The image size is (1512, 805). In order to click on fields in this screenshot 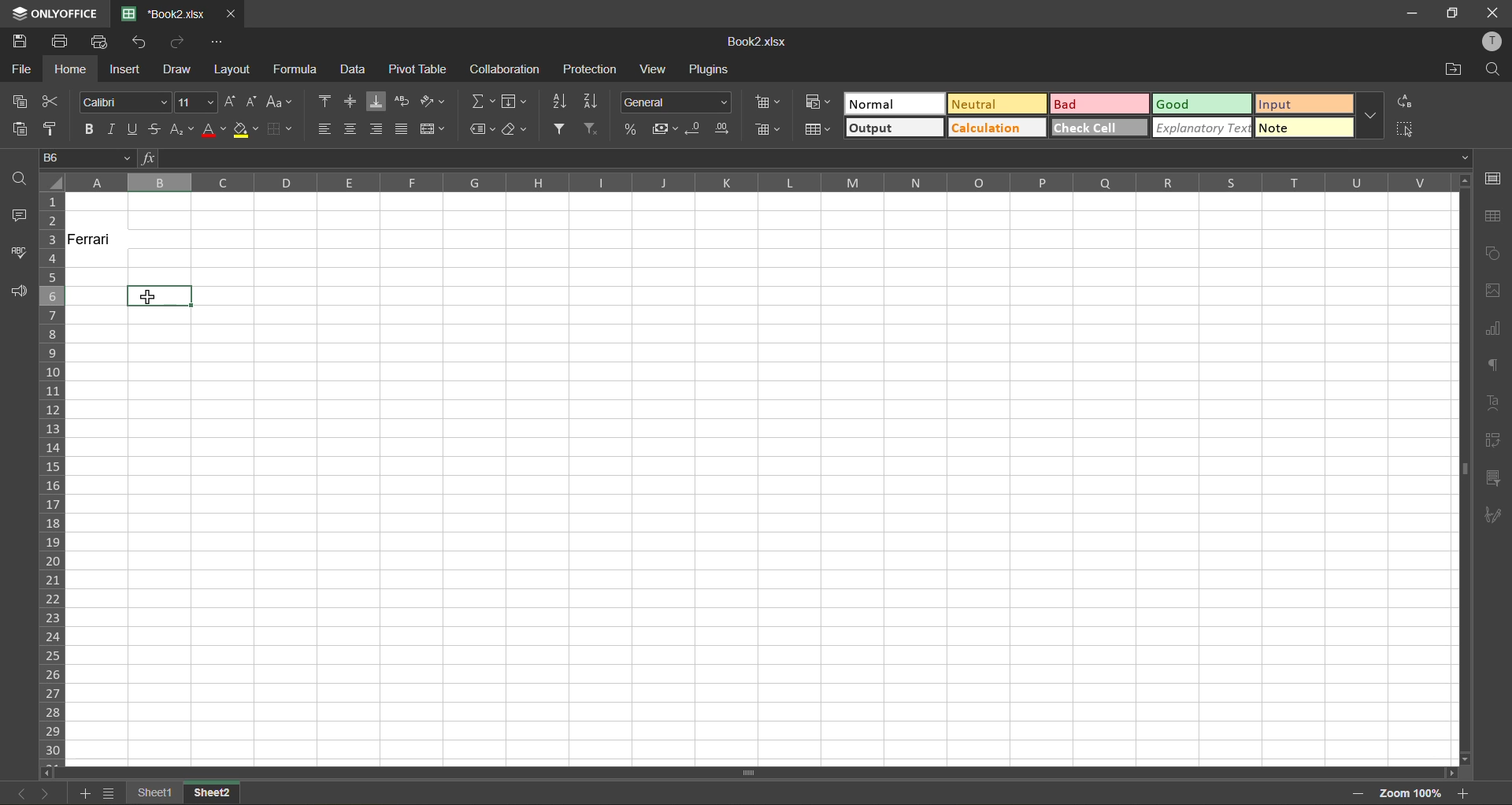, I will do `click(515, 102)`.